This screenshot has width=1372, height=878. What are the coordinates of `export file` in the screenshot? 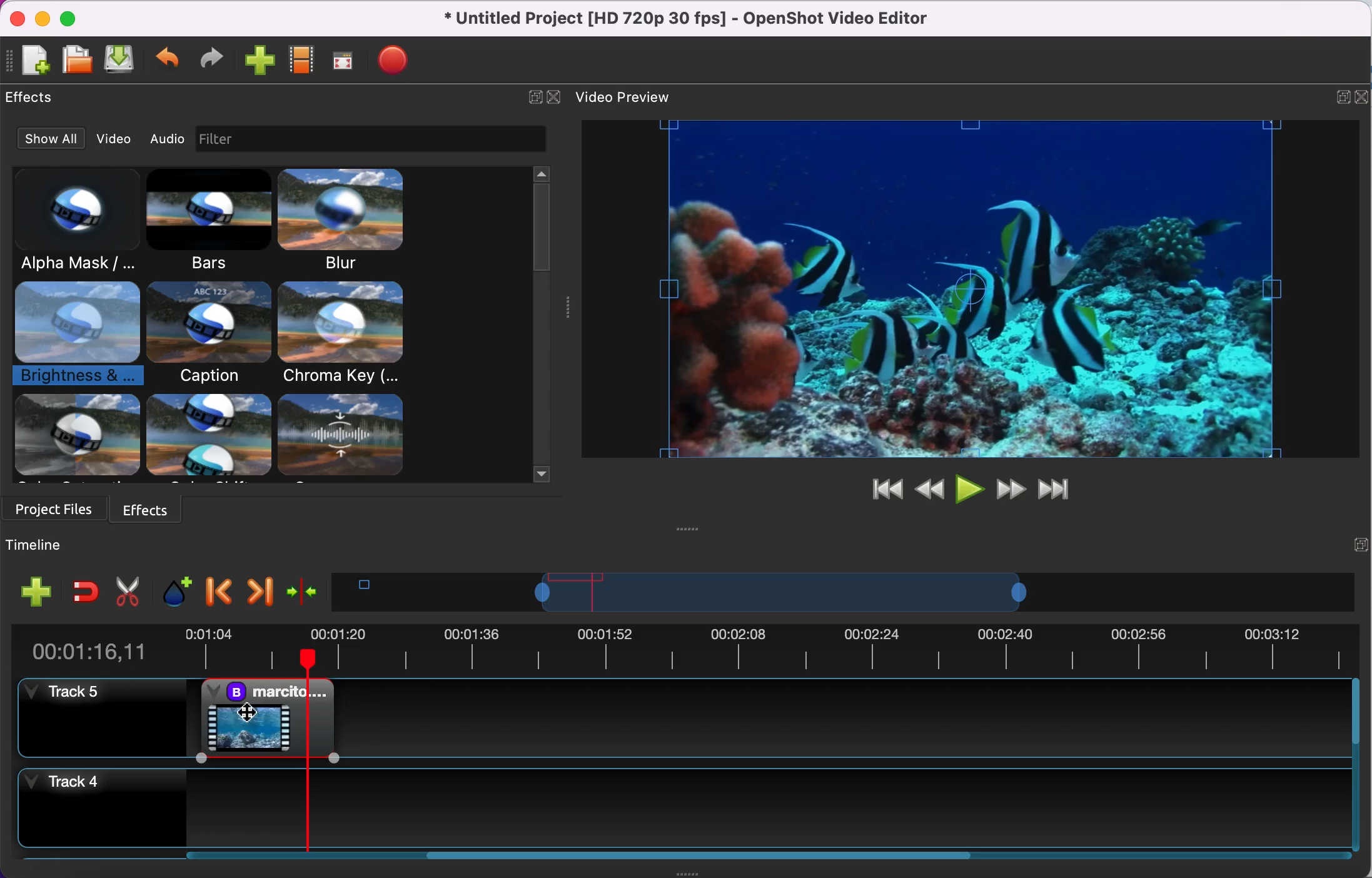 It's located at (396, 63).